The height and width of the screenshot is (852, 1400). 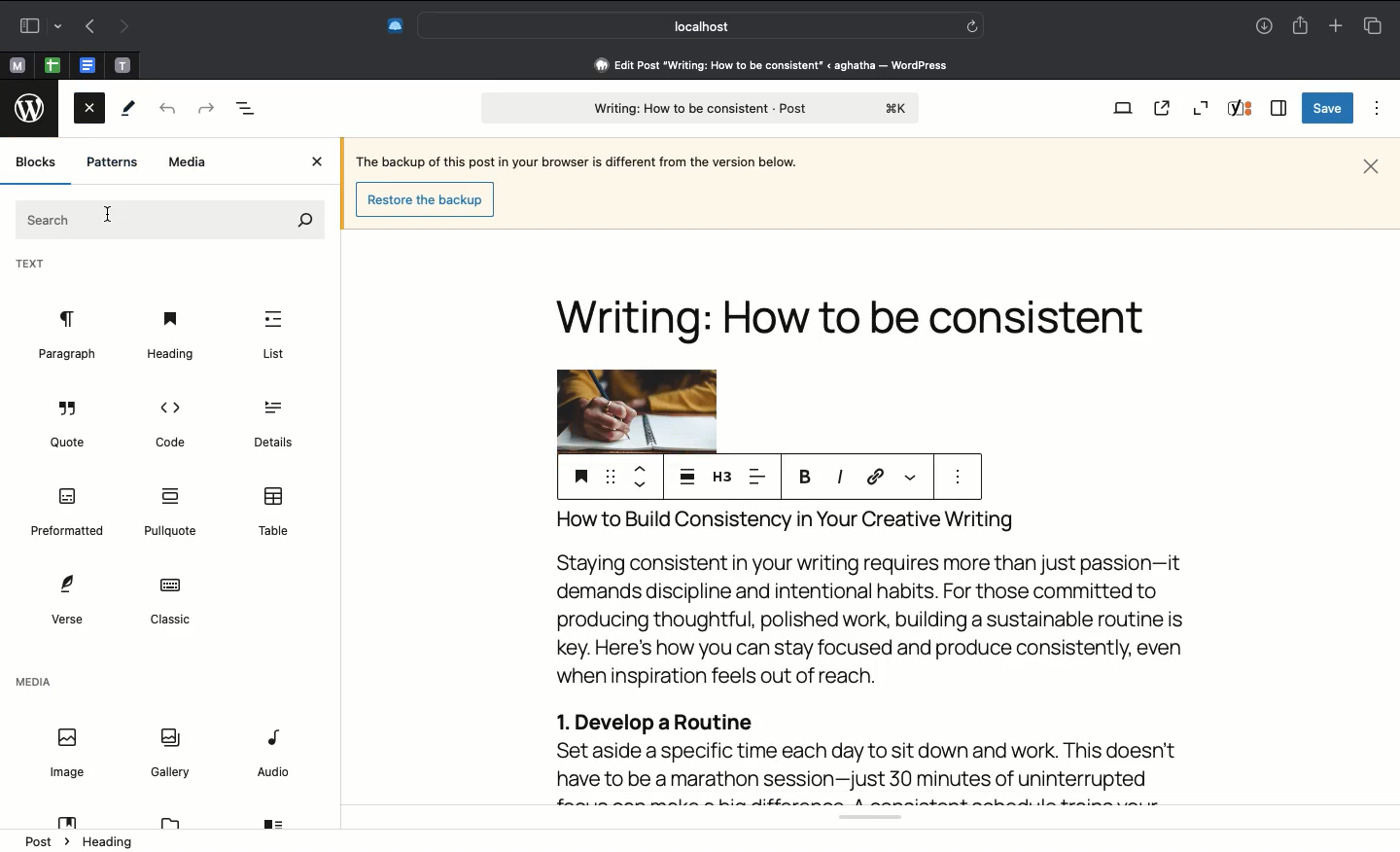 What do you see at coordinates (52, 64) in the screenshot?
I see `Pinned tabs` at bounding box center [52, 64].